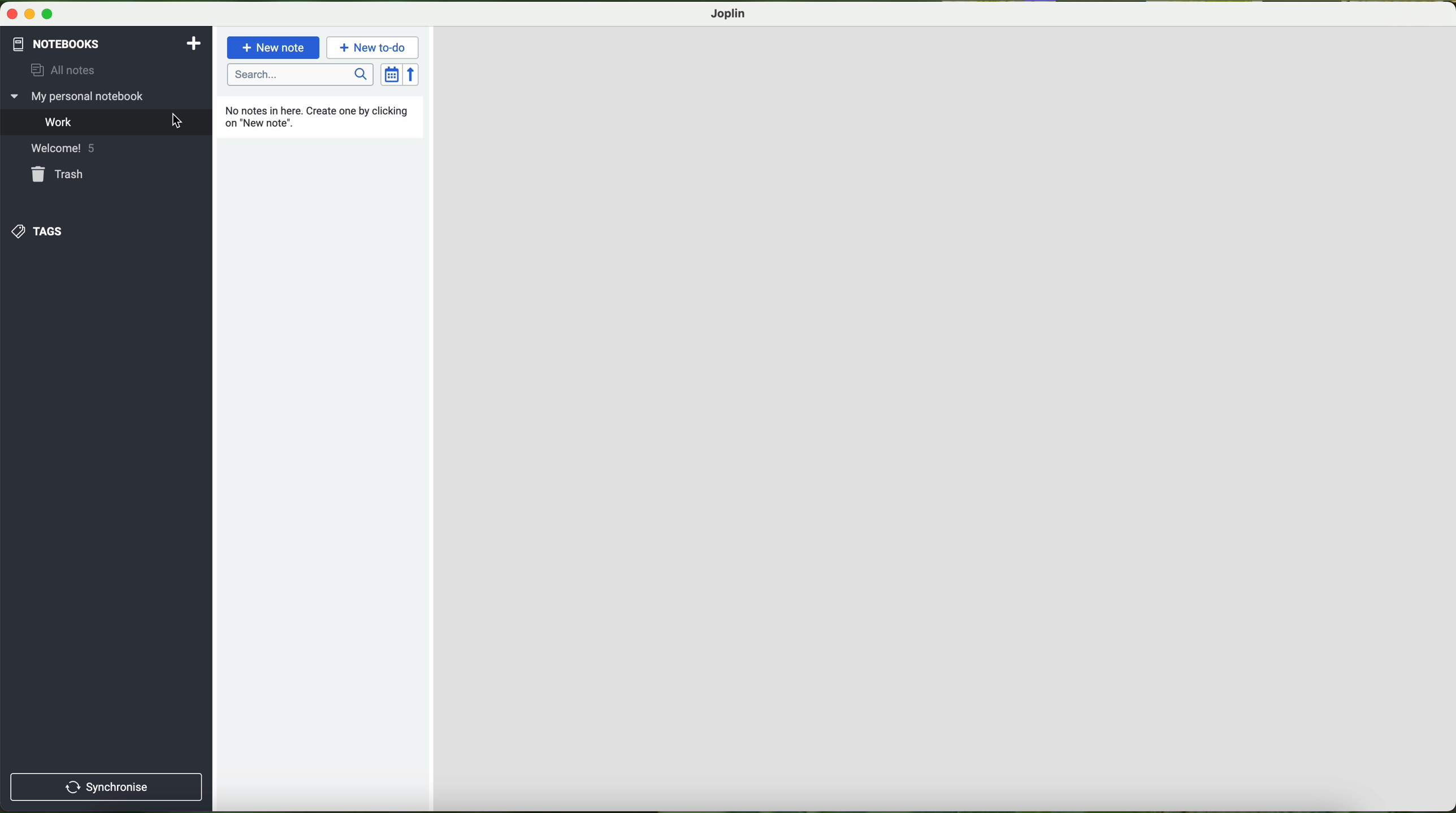 The width and height of the screenshot is (1456, 813). I want to click on work, so click(61, 121).